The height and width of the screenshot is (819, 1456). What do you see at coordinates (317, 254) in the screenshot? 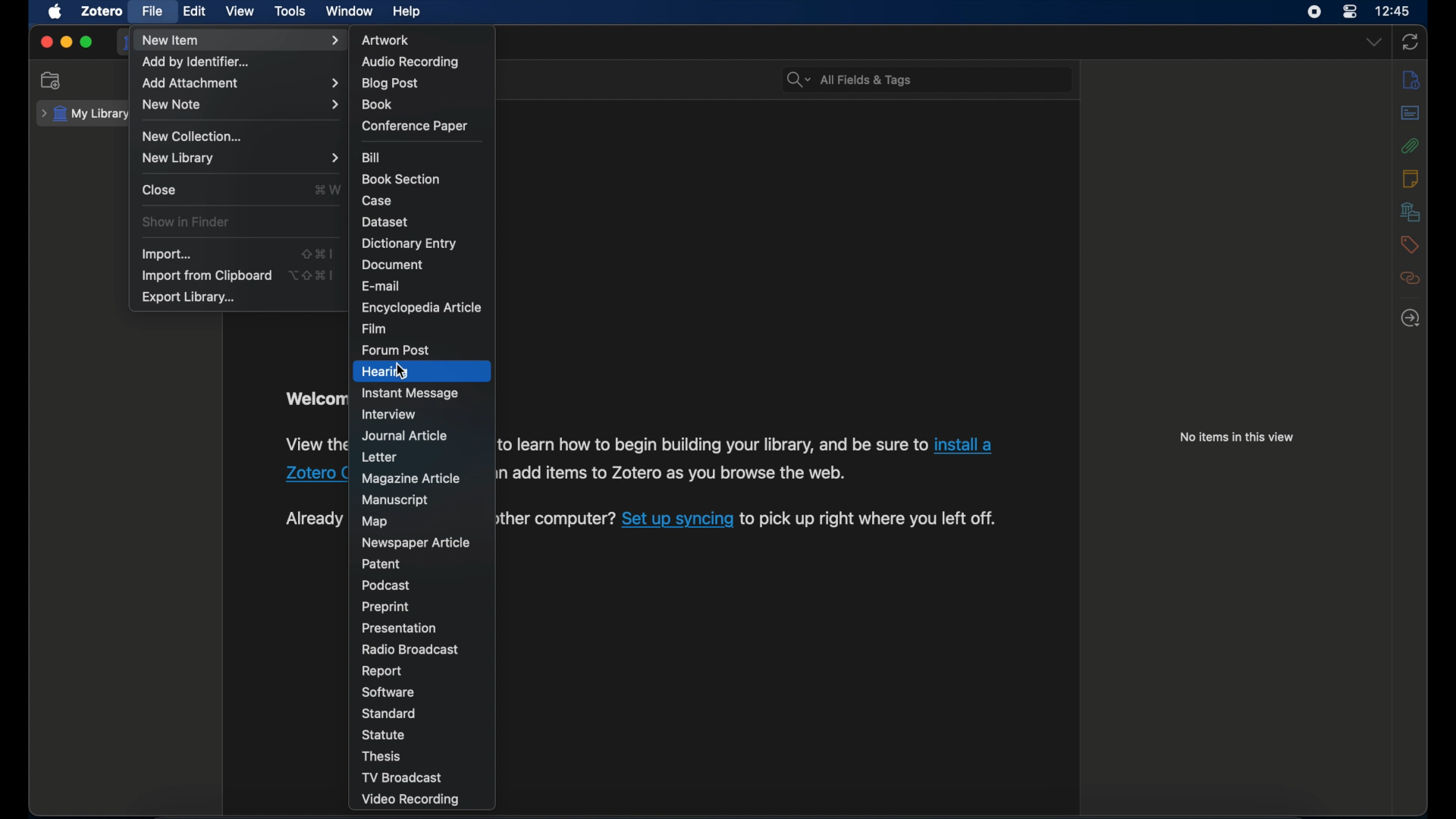
I see `shortcut` at bounding box center [317, 254].